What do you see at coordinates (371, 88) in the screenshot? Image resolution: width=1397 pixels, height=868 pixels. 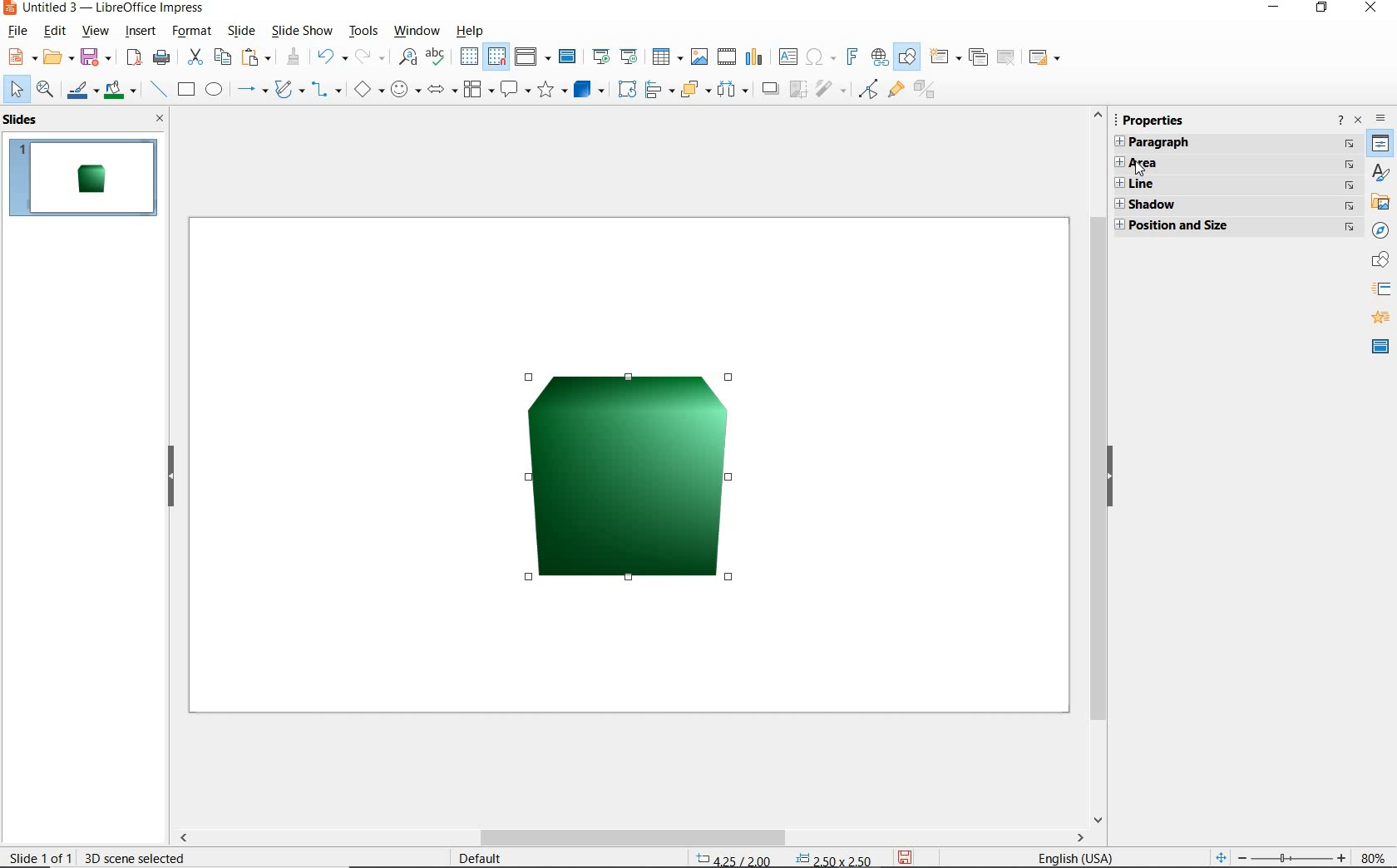 I see `basic shapes` at bounding box center [371, 88].